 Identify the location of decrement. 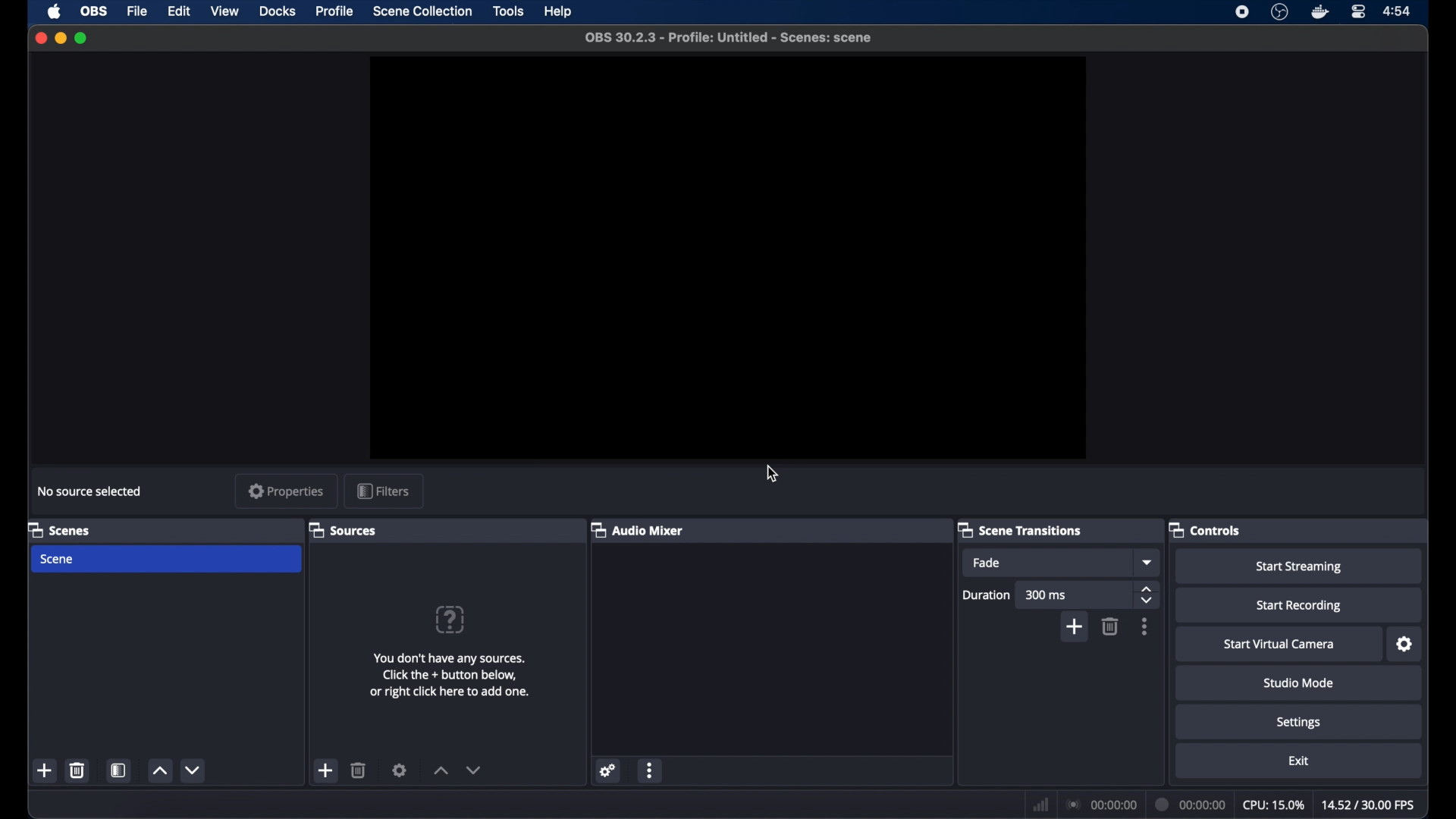
(193, 770).